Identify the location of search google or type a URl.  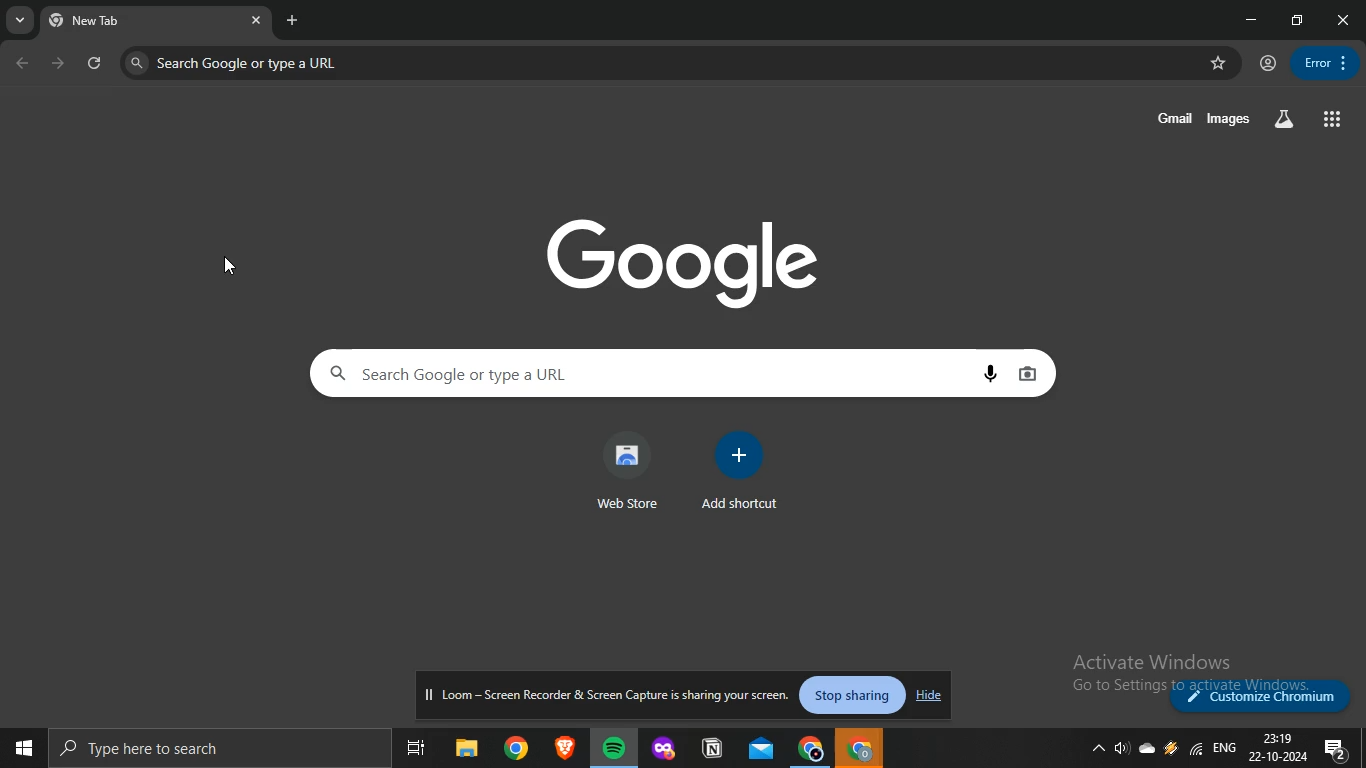
(235, 63).